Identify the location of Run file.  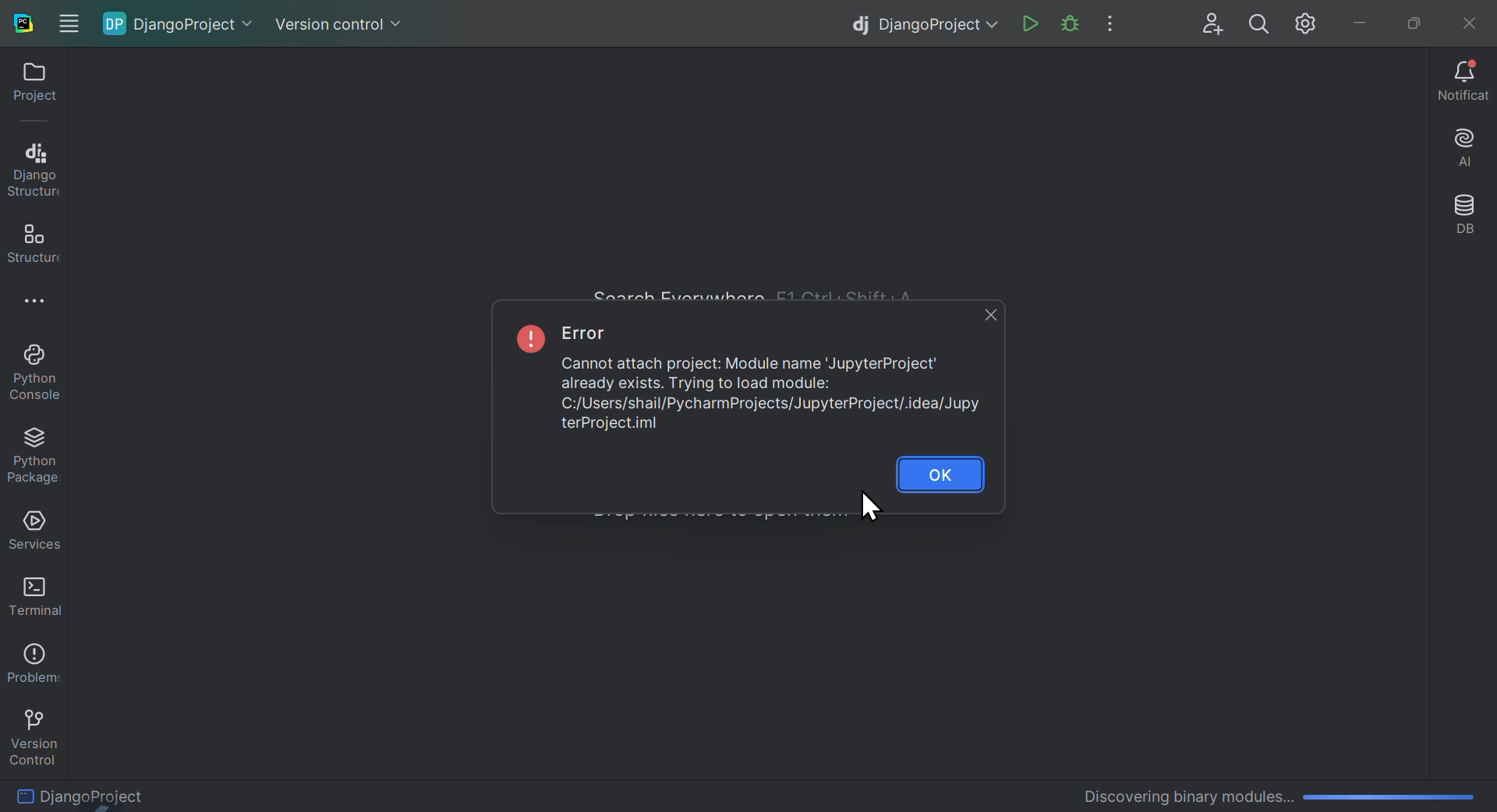
(1031, 25).